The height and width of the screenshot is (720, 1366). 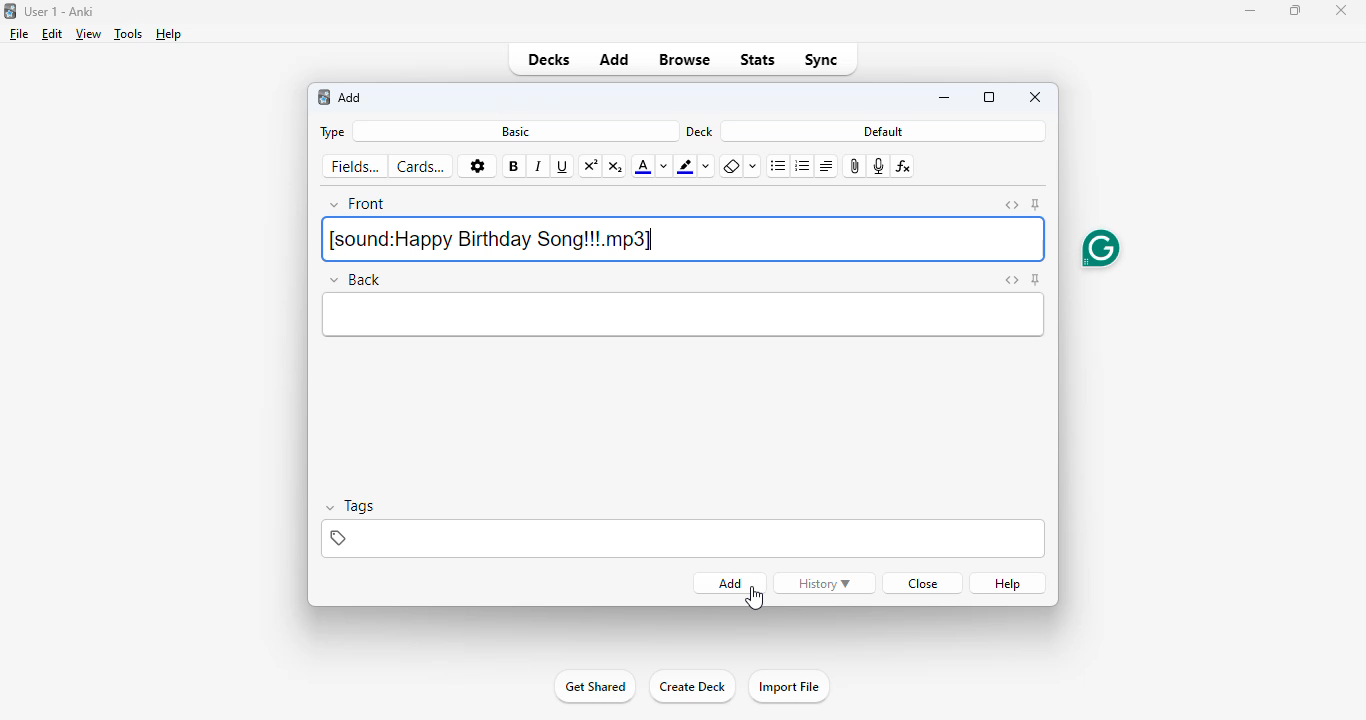 What do you see at coordinates (563, 167) in the screenshot?
I see `underline` at bounding box center [563, 167].